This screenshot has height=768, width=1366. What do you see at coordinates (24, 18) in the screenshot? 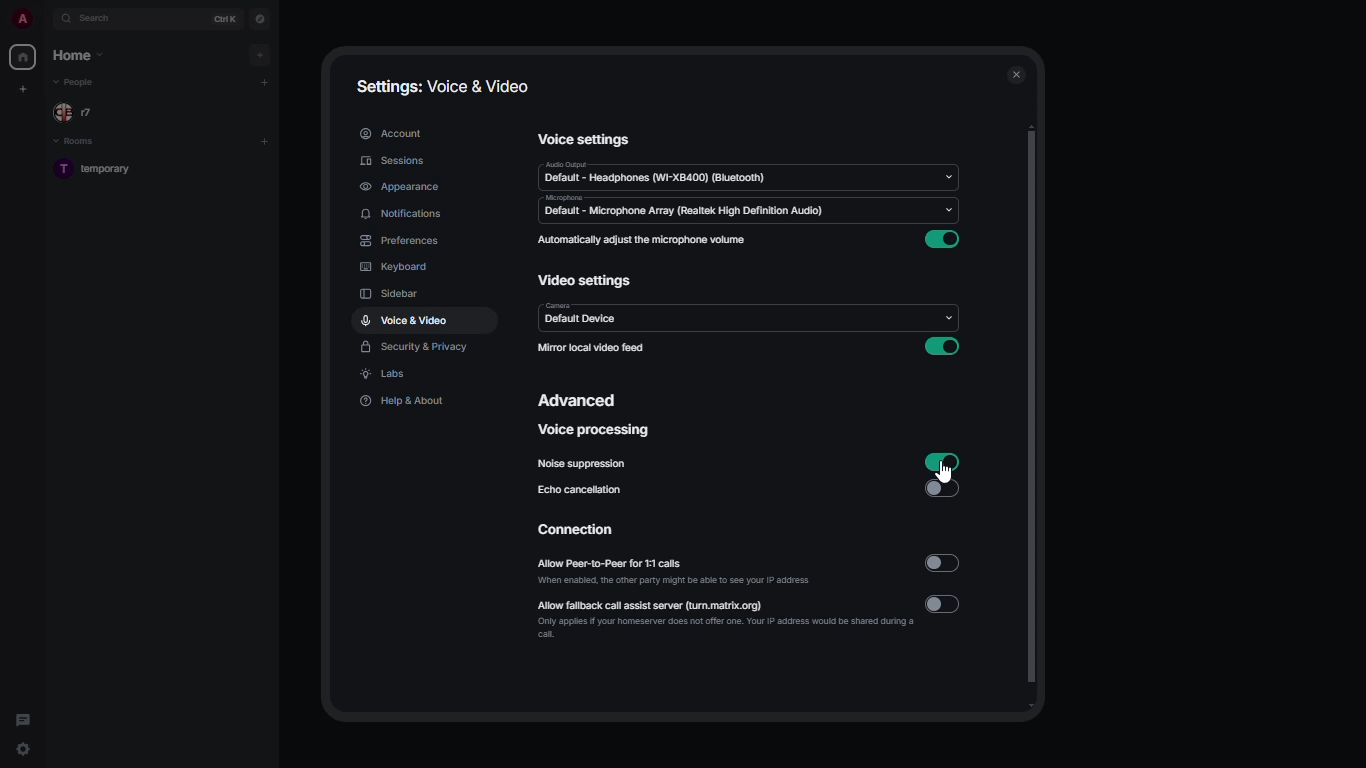
I see `profile` at bounding box center [24, 18].